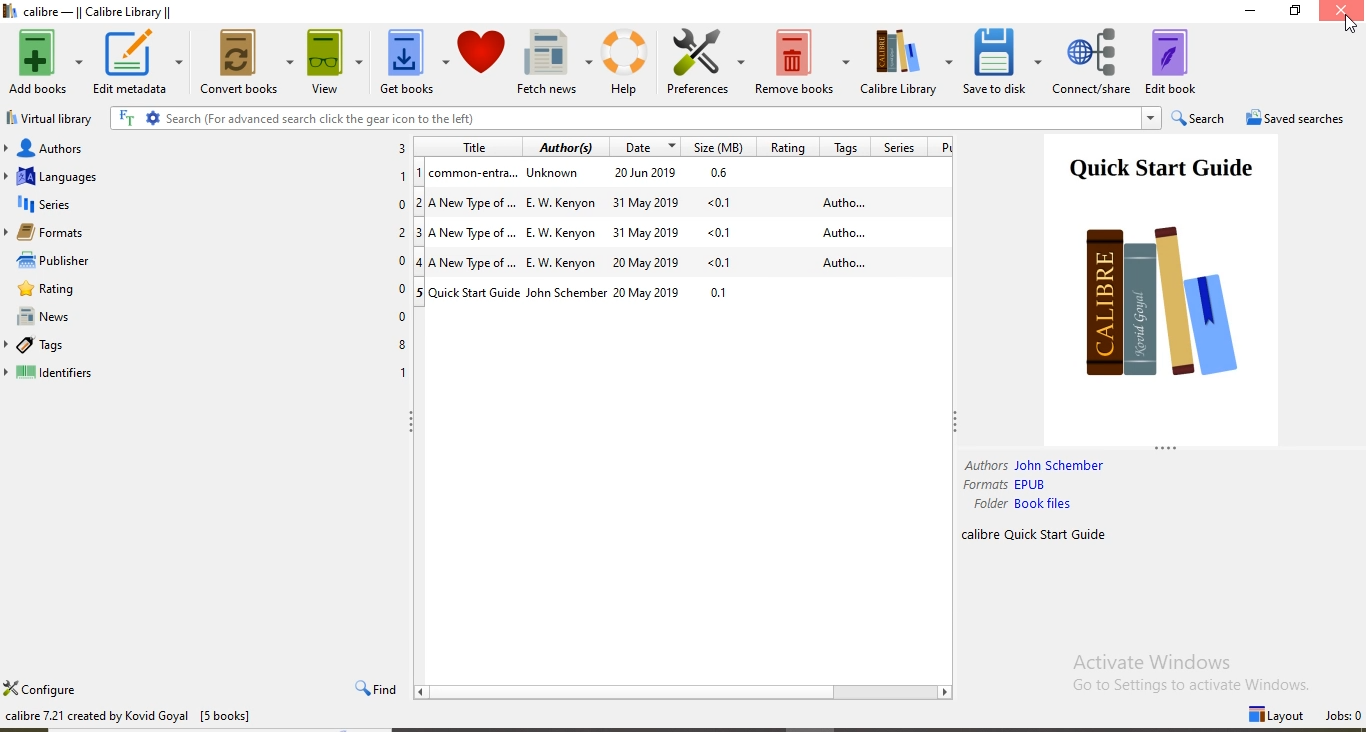 This screenshot has width=1366, height=732. Describe the element at coordinates (335, 63) in the screenshot. I see `View` at that location.